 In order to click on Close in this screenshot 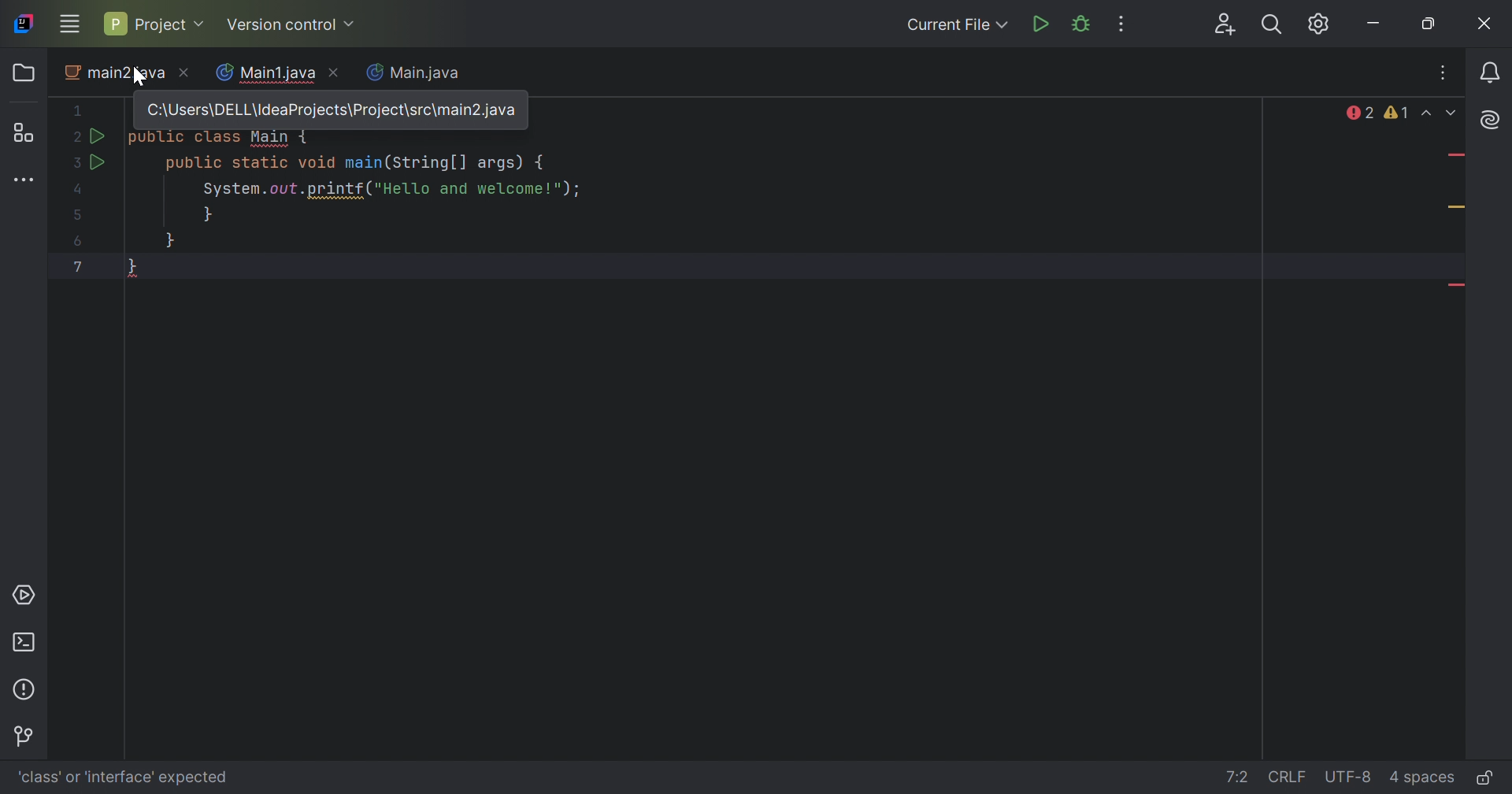, I will do `click(1488, 24)`.